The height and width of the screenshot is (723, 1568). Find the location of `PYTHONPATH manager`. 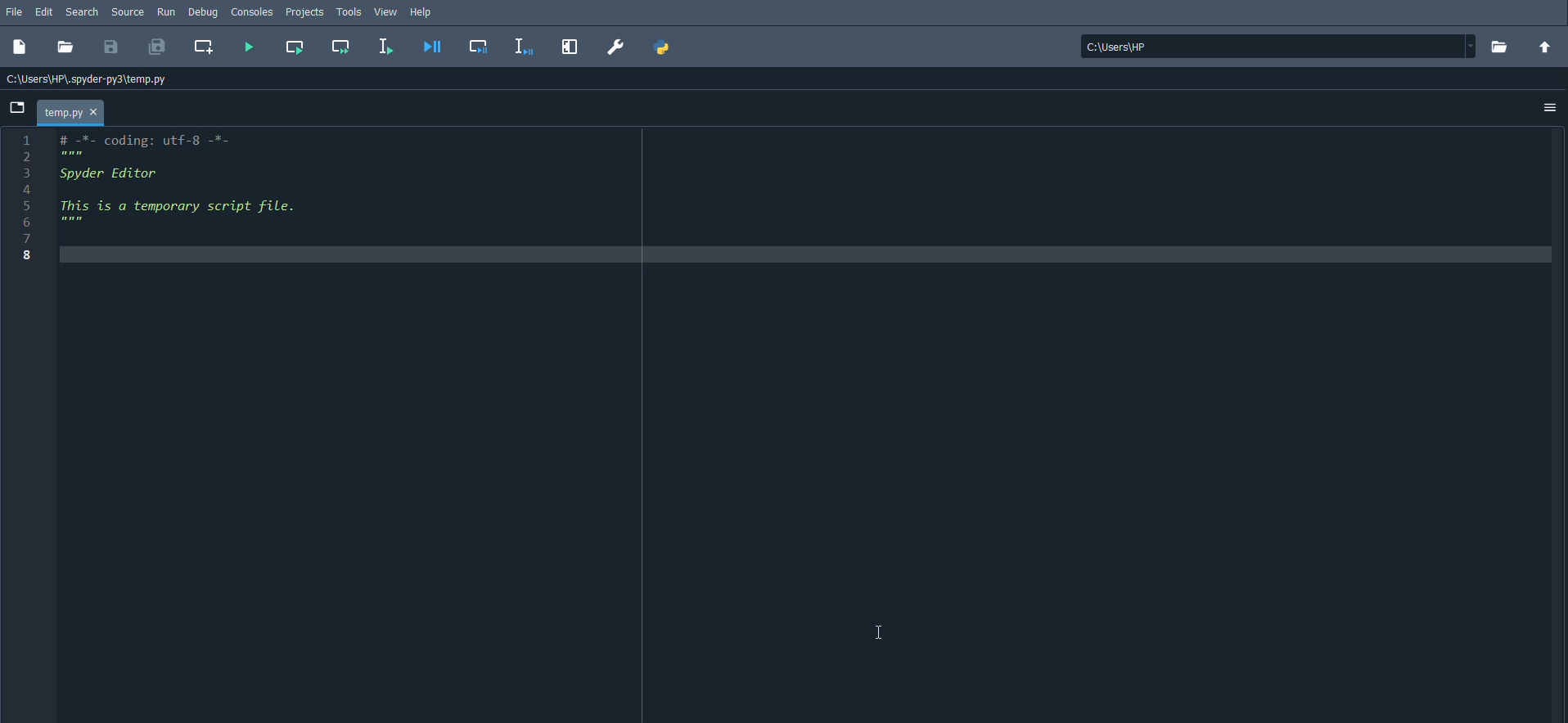

PYTHONPATH manager is located at coordinates (666, 47).